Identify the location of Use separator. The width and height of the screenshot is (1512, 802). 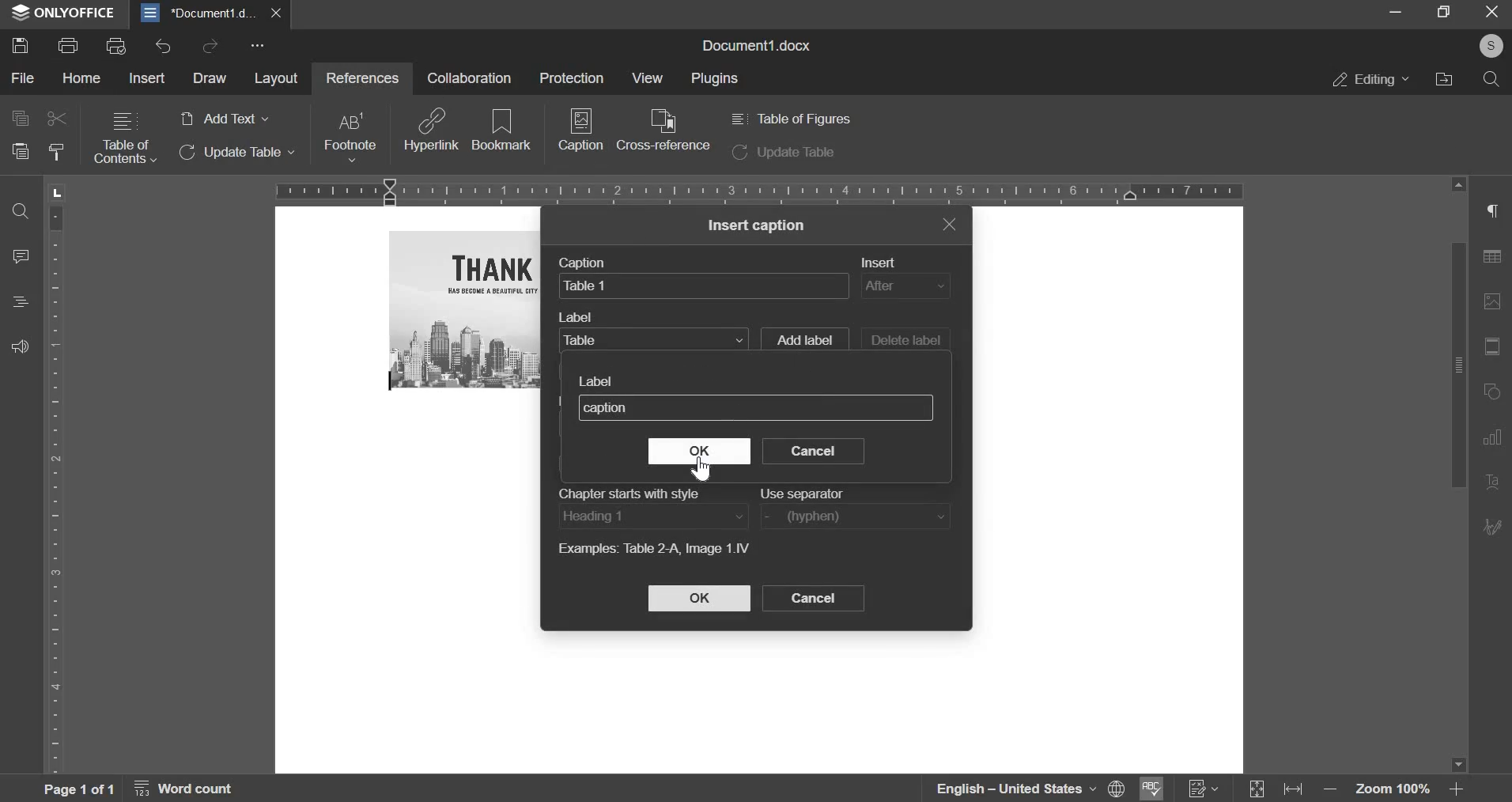
(803, 494).